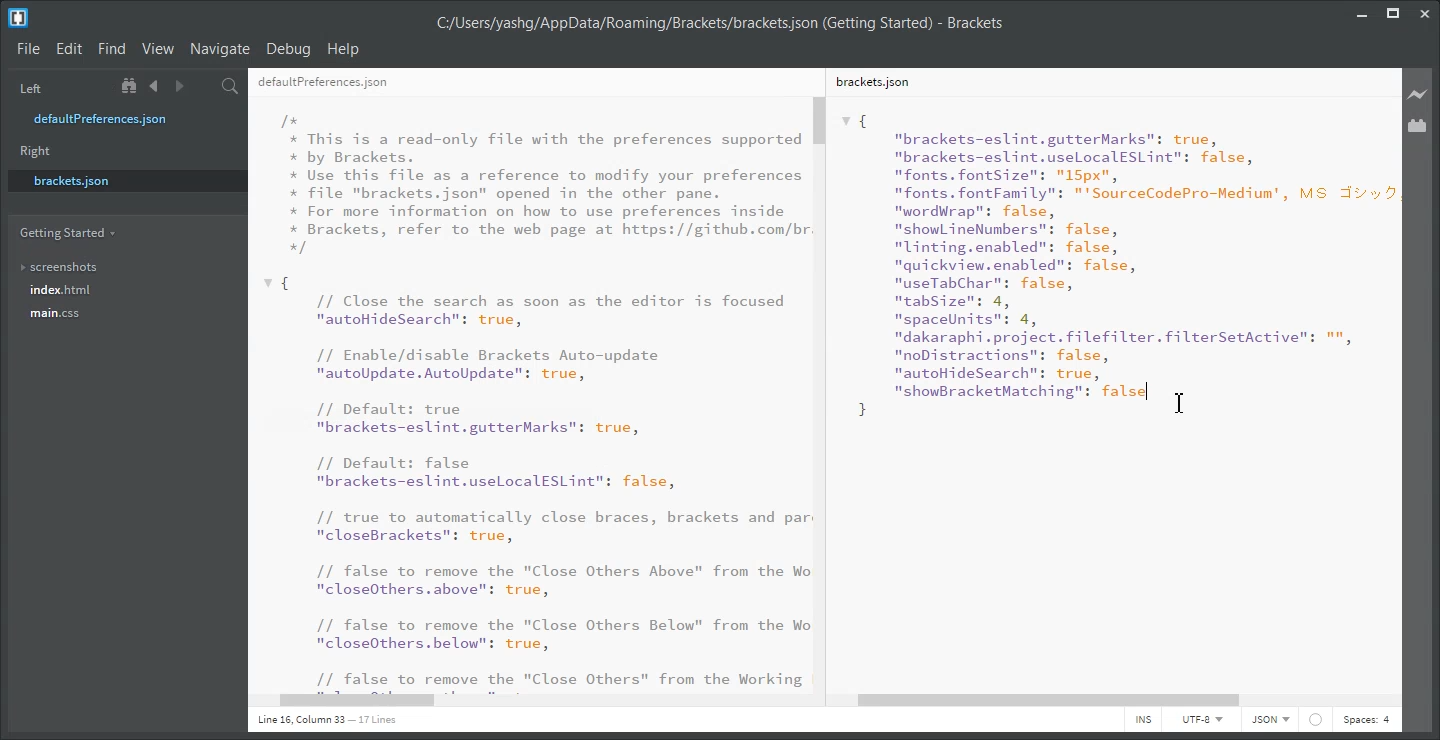 The height and width of the screenshot is (740, 1440). What do you see at coordinates (36, 151) in the screenshot?
I see `Right` at bounding box center [36, 151].